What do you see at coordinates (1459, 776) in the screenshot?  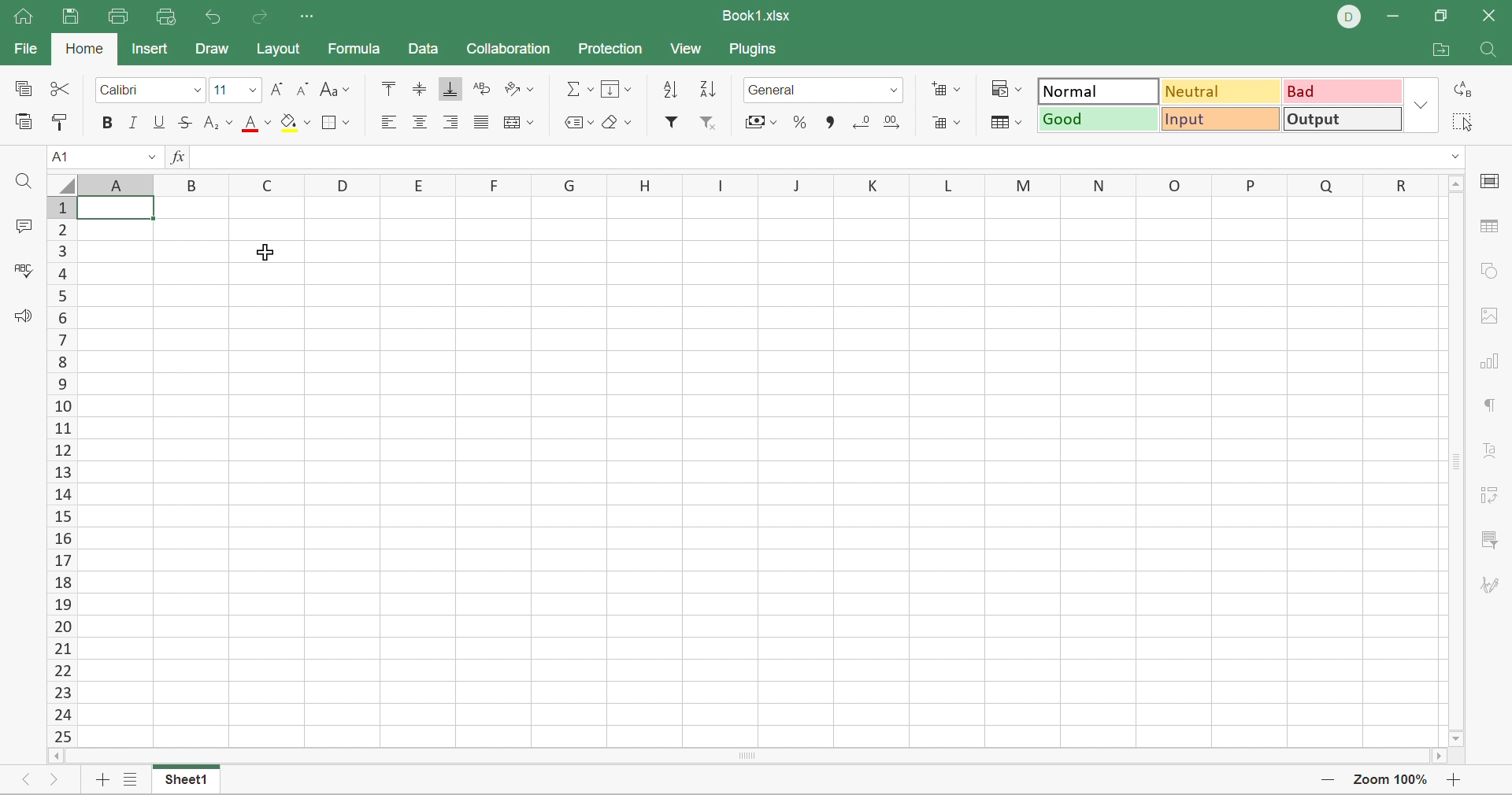 I see `Zoom In` at bounding box center [1459, 776].